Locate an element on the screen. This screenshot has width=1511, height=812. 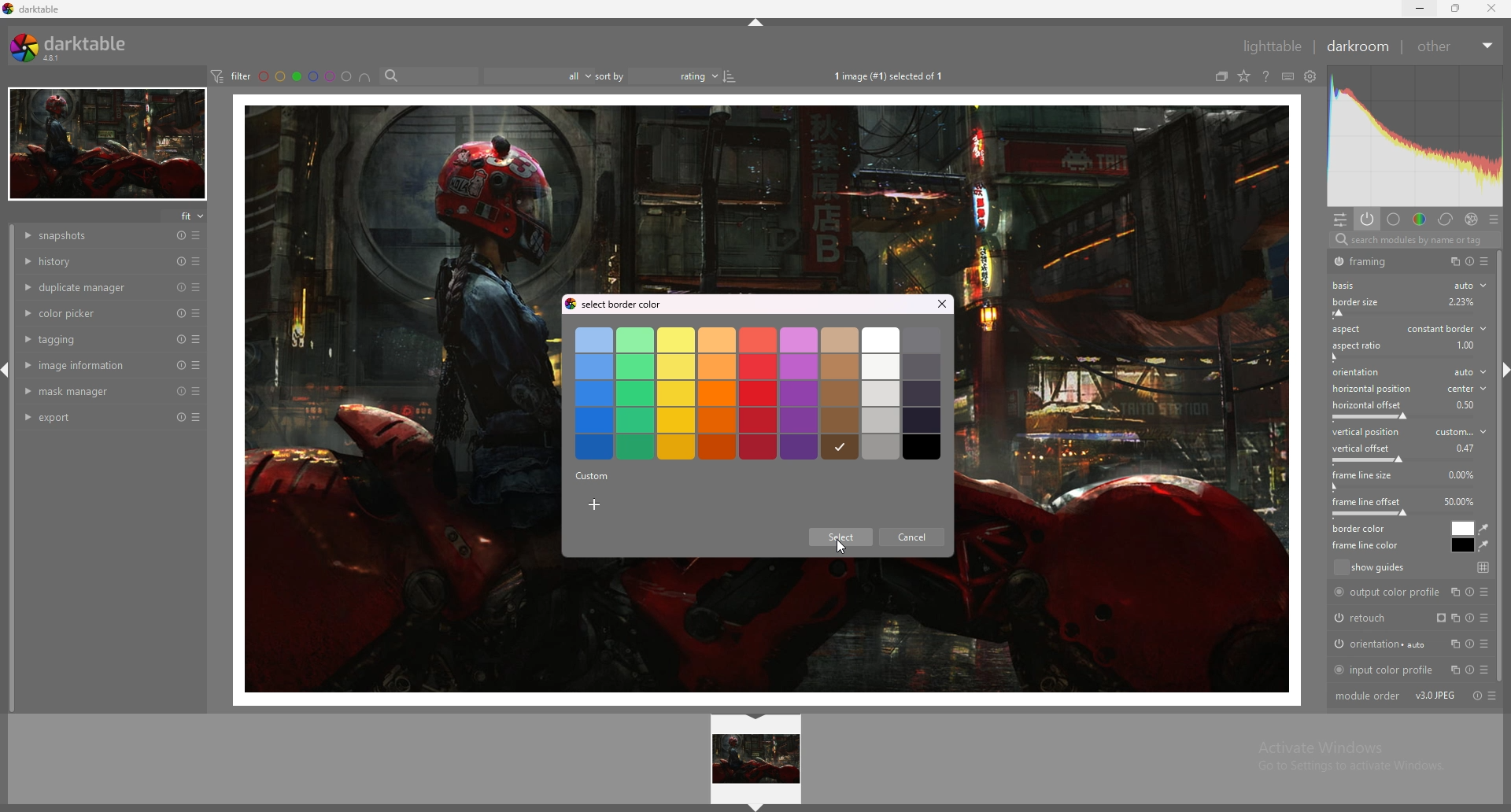
version info is located at coordinates (1435, 696).